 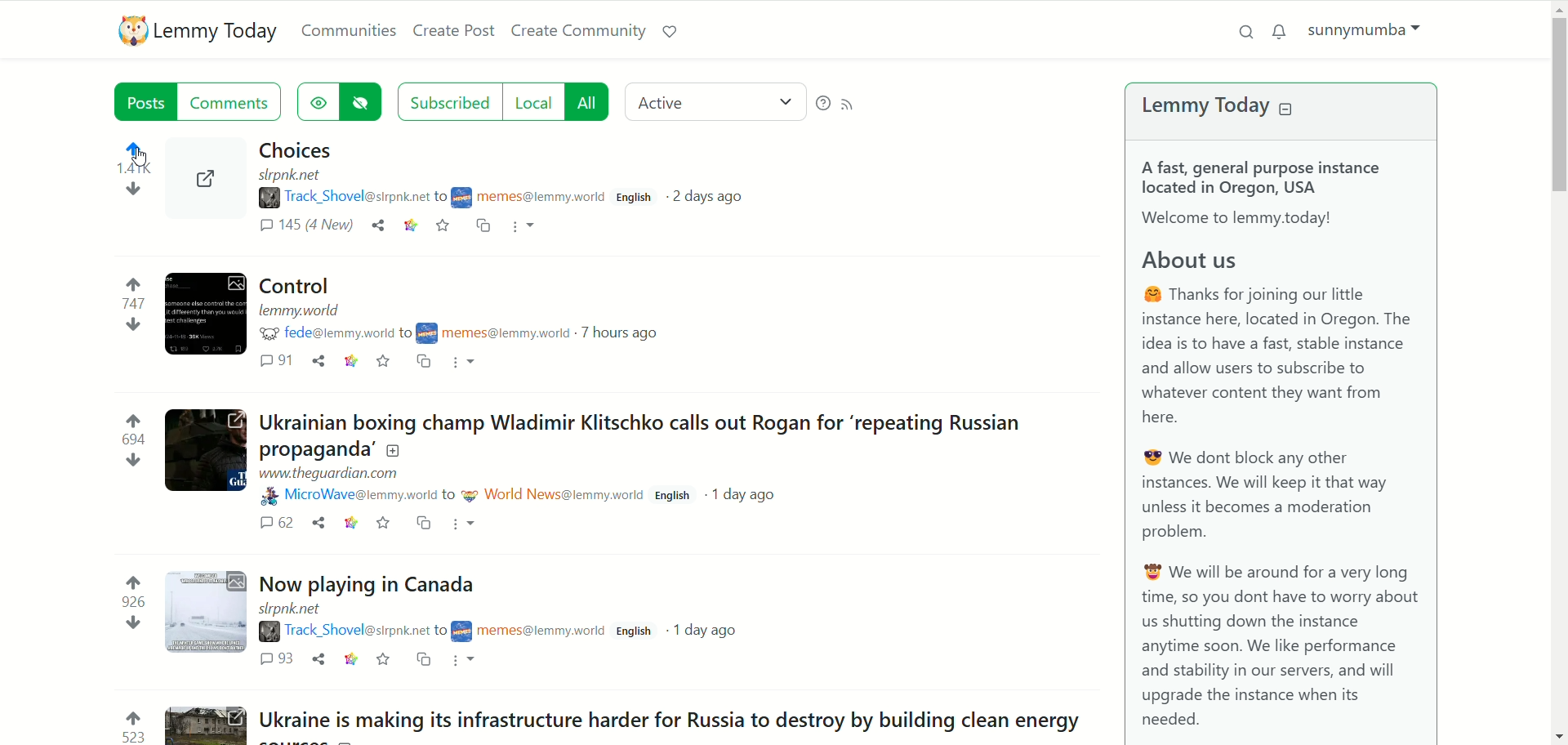 I want to click on cross-post, so click(x=484, y=227).